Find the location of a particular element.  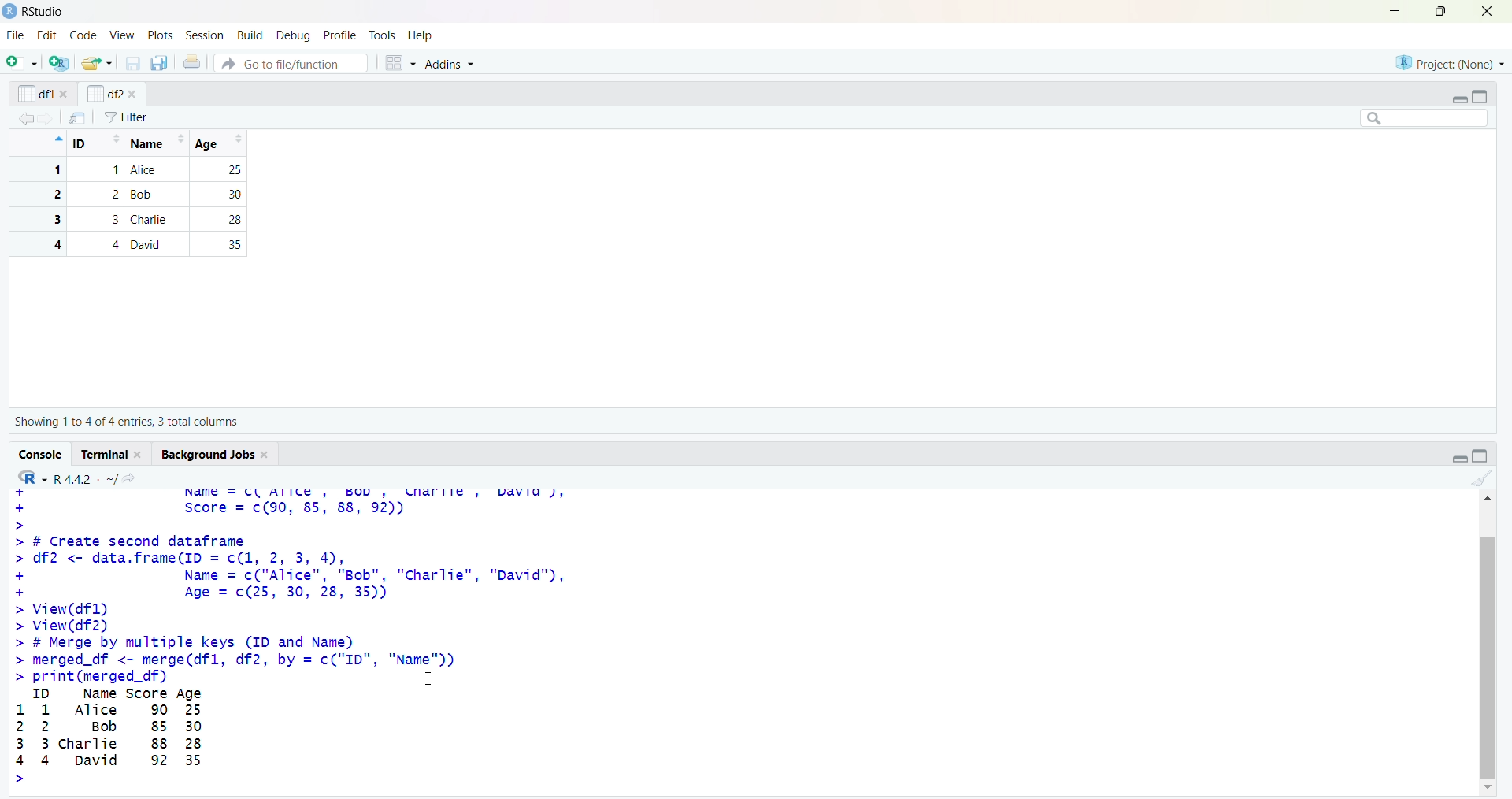

profile is located at coordinates (339, 35).